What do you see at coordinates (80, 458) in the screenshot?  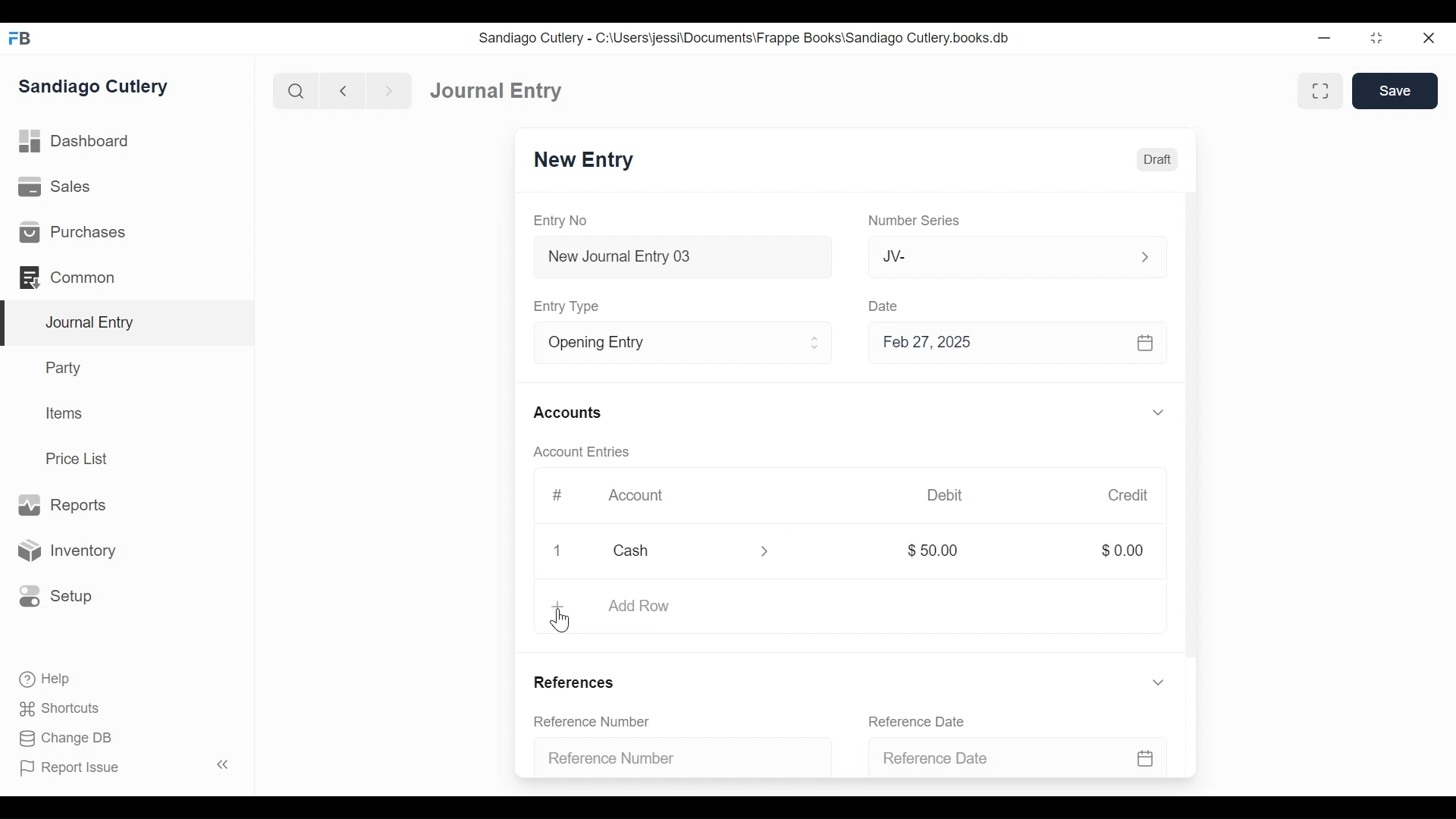 I see `Price List` at bounding box center [80, 458].